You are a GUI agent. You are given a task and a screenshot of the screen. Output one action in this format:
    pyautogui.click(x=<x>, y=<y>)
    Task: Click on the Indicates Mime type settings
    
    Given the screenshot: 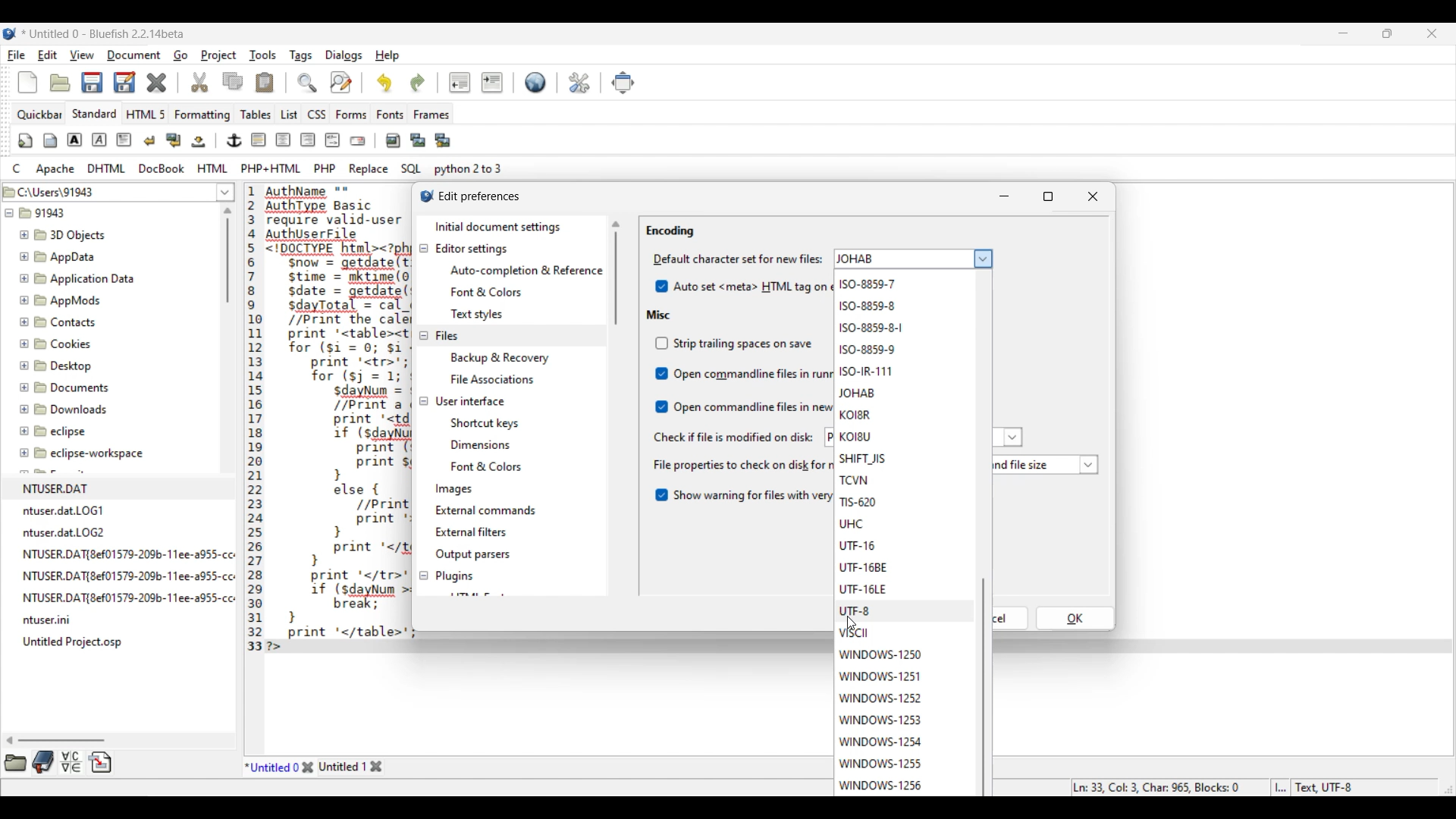 What is the action you would take?
    pyautogui.click(x=739, y=258)
    